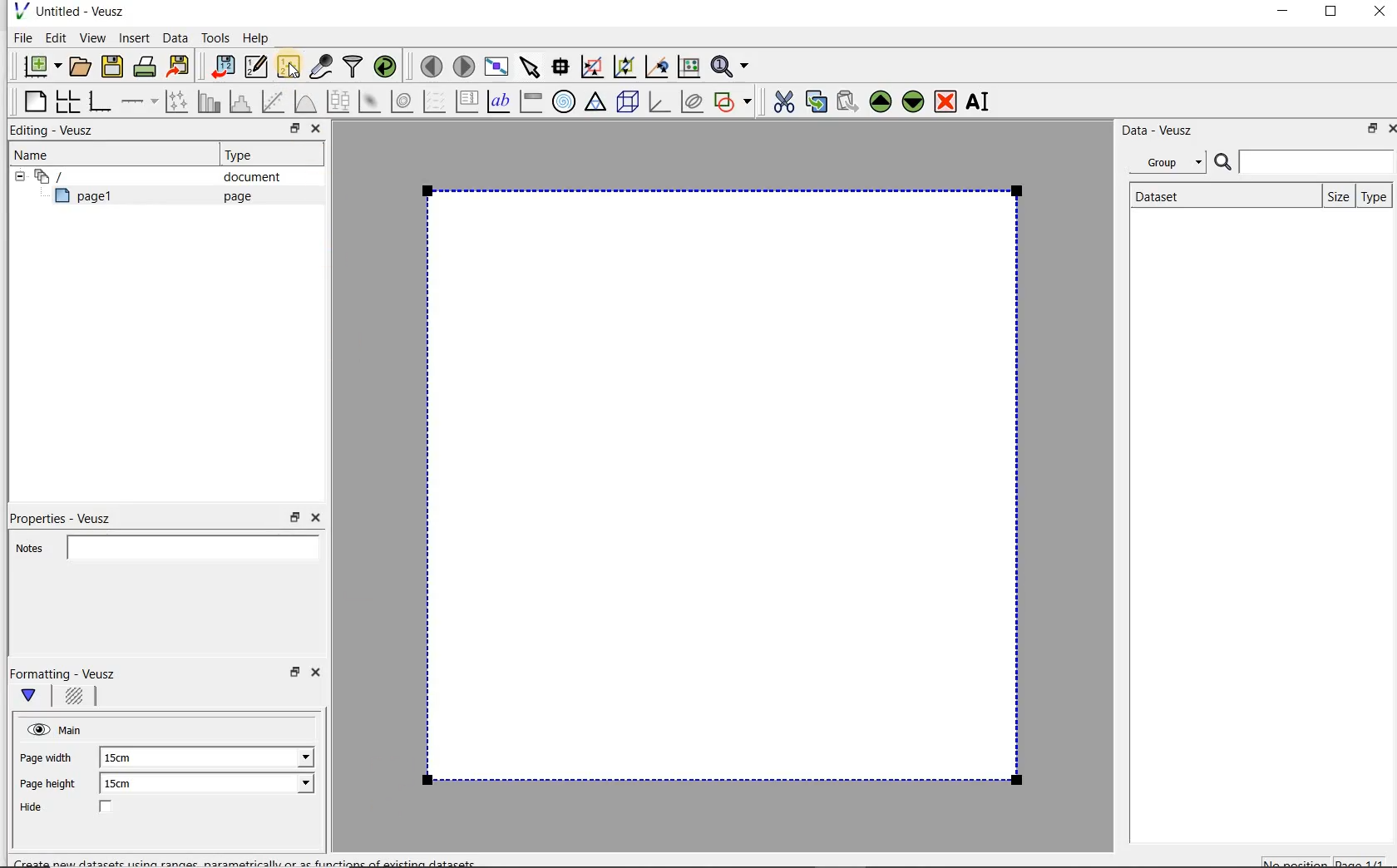 The width and height of the screenshot is (1397, 868). What do you see at coordinates (318, 675) in the screenshot?
I see `Close` at bounding box center [318, 675].